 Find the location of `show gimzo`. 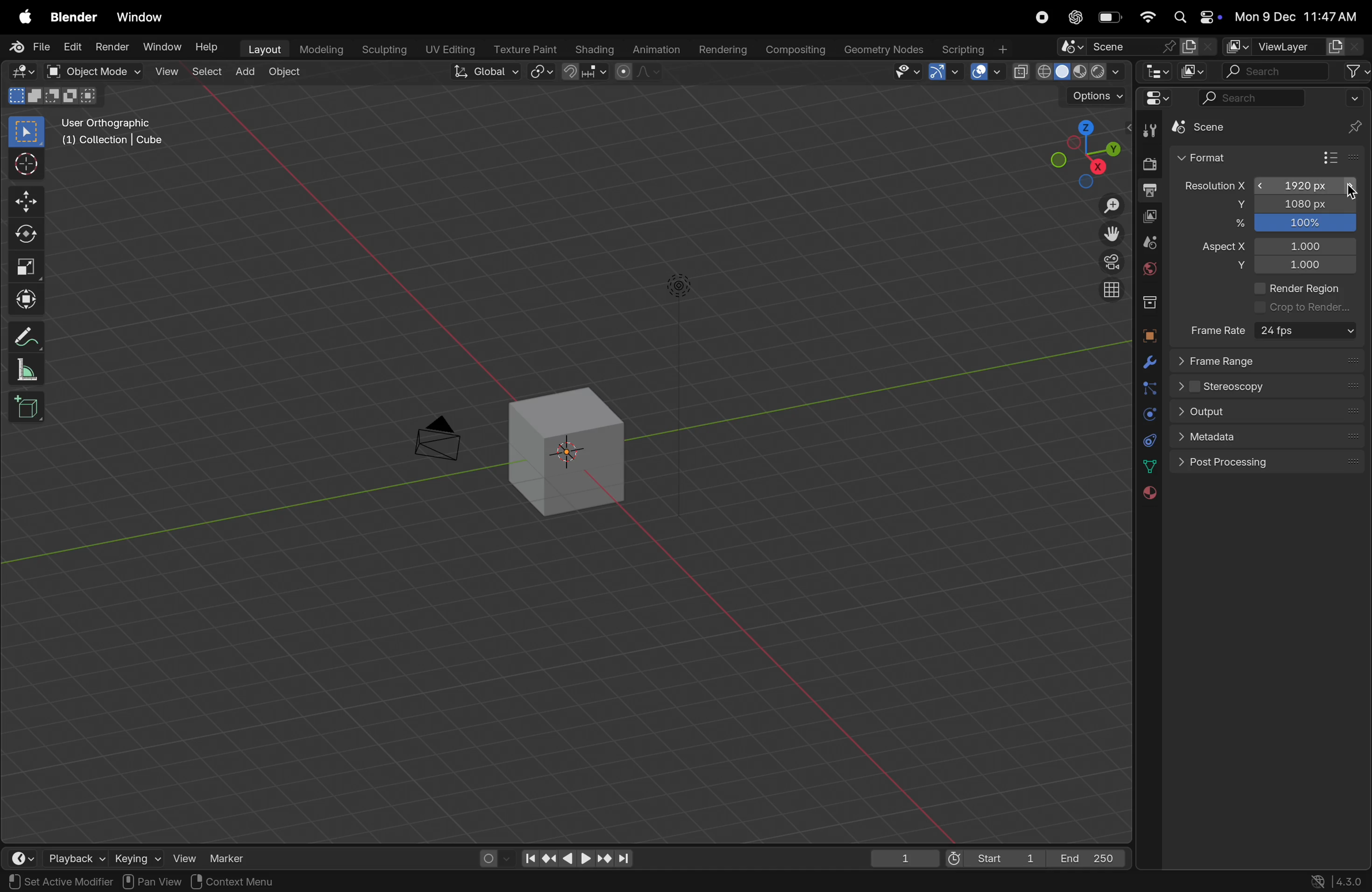

show gimzo is located at coordinates (943, 72).